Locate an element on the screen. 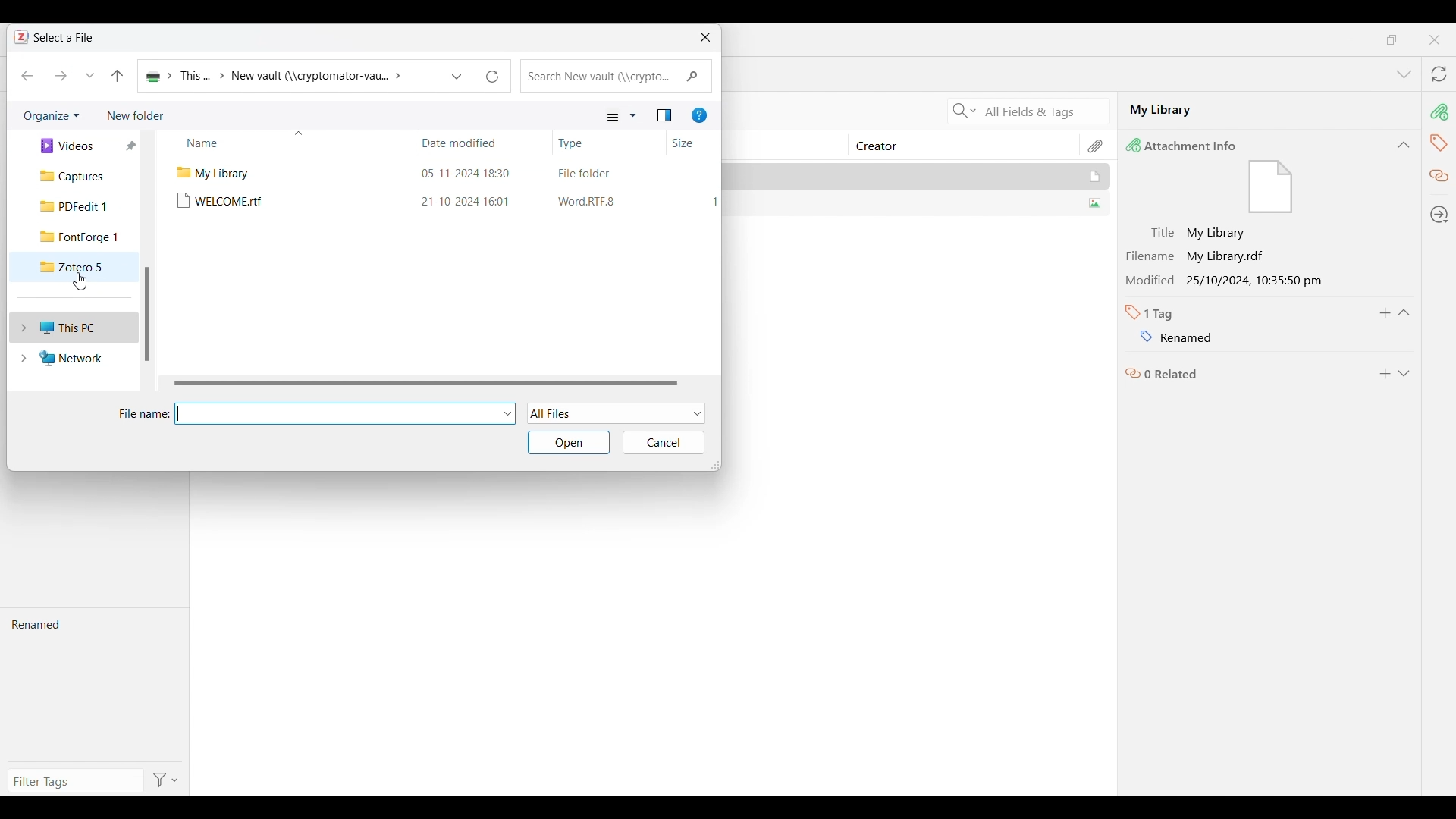 This screenshot has width=1456, height=819. Show the preview pane is located at coordinates (664, 115).